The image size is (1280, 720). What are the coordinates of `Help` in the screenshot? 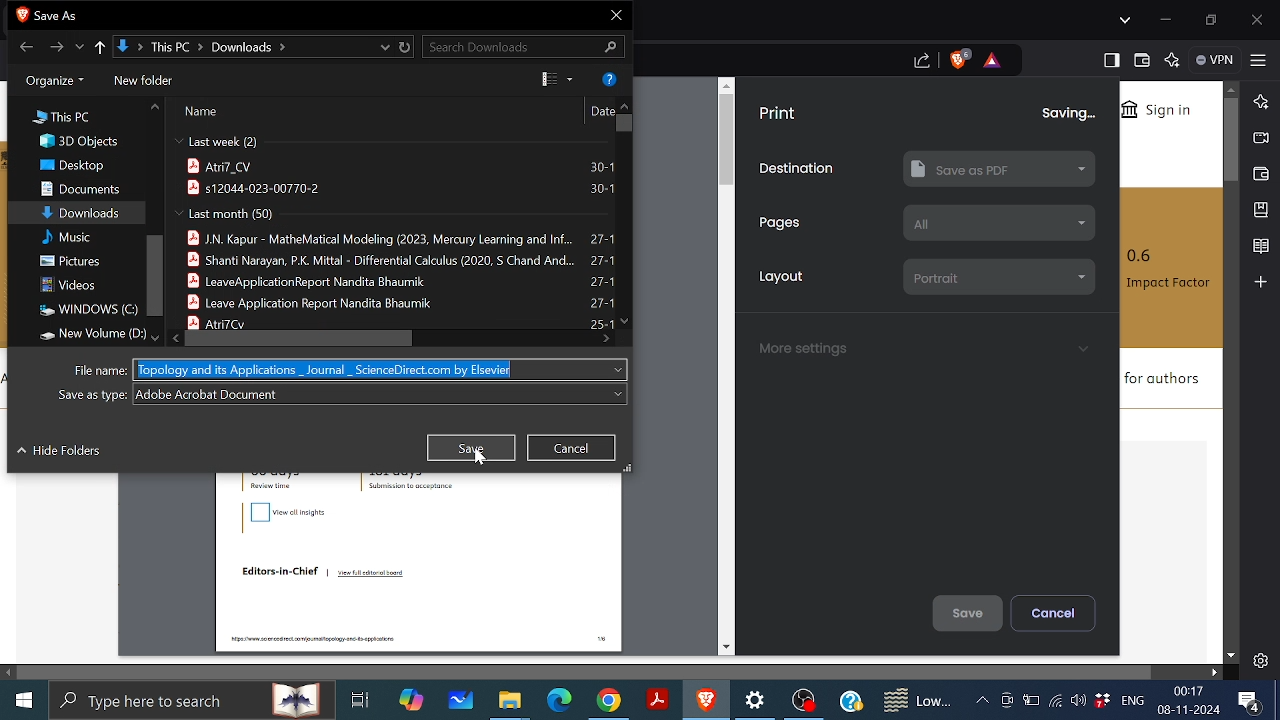 It's located at (850, 700).